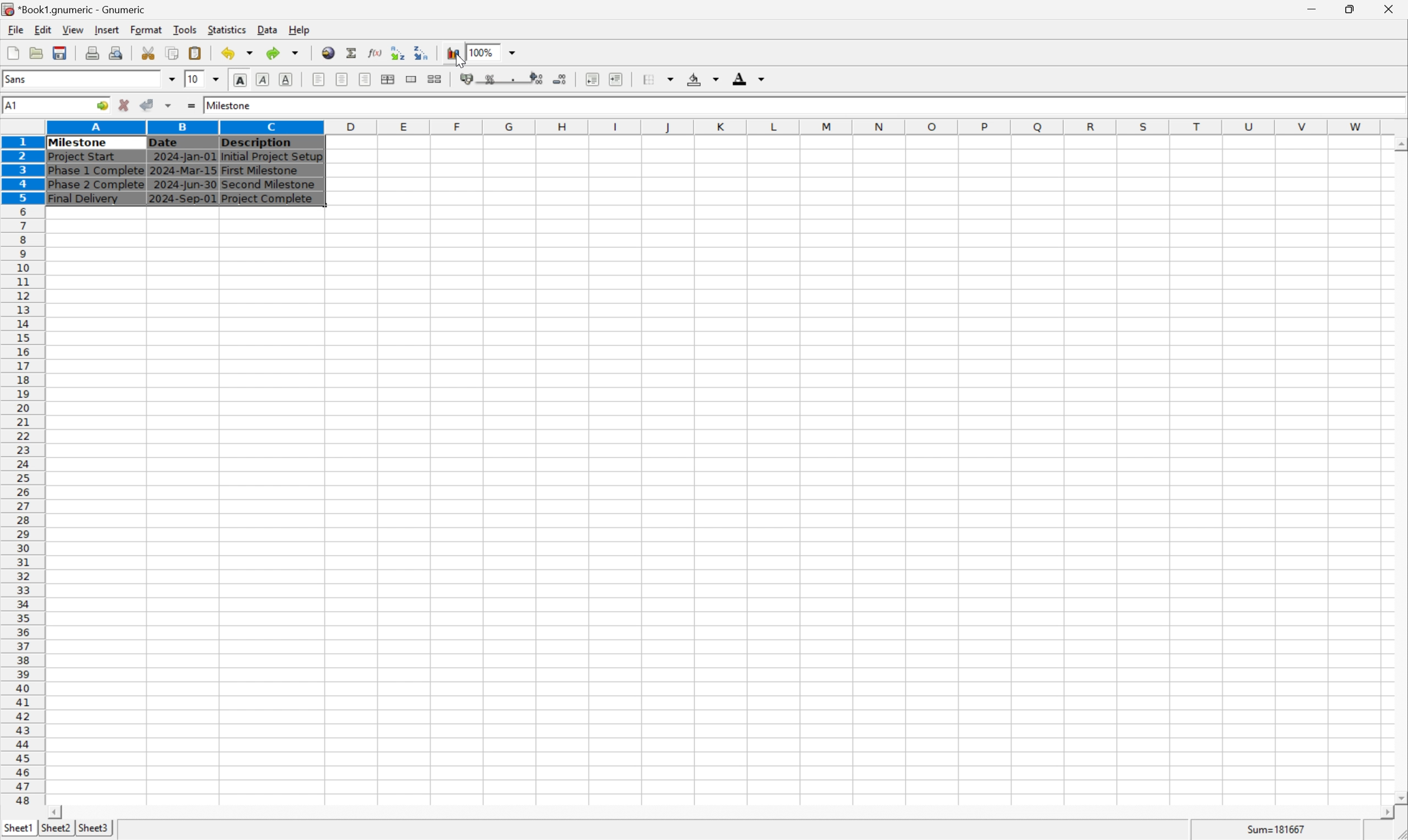 This screenshot has width=1408, height=840. What do you see at coordinates (186, 29) in the screenshot?
I see `tools` at bounding box center [186, 29].